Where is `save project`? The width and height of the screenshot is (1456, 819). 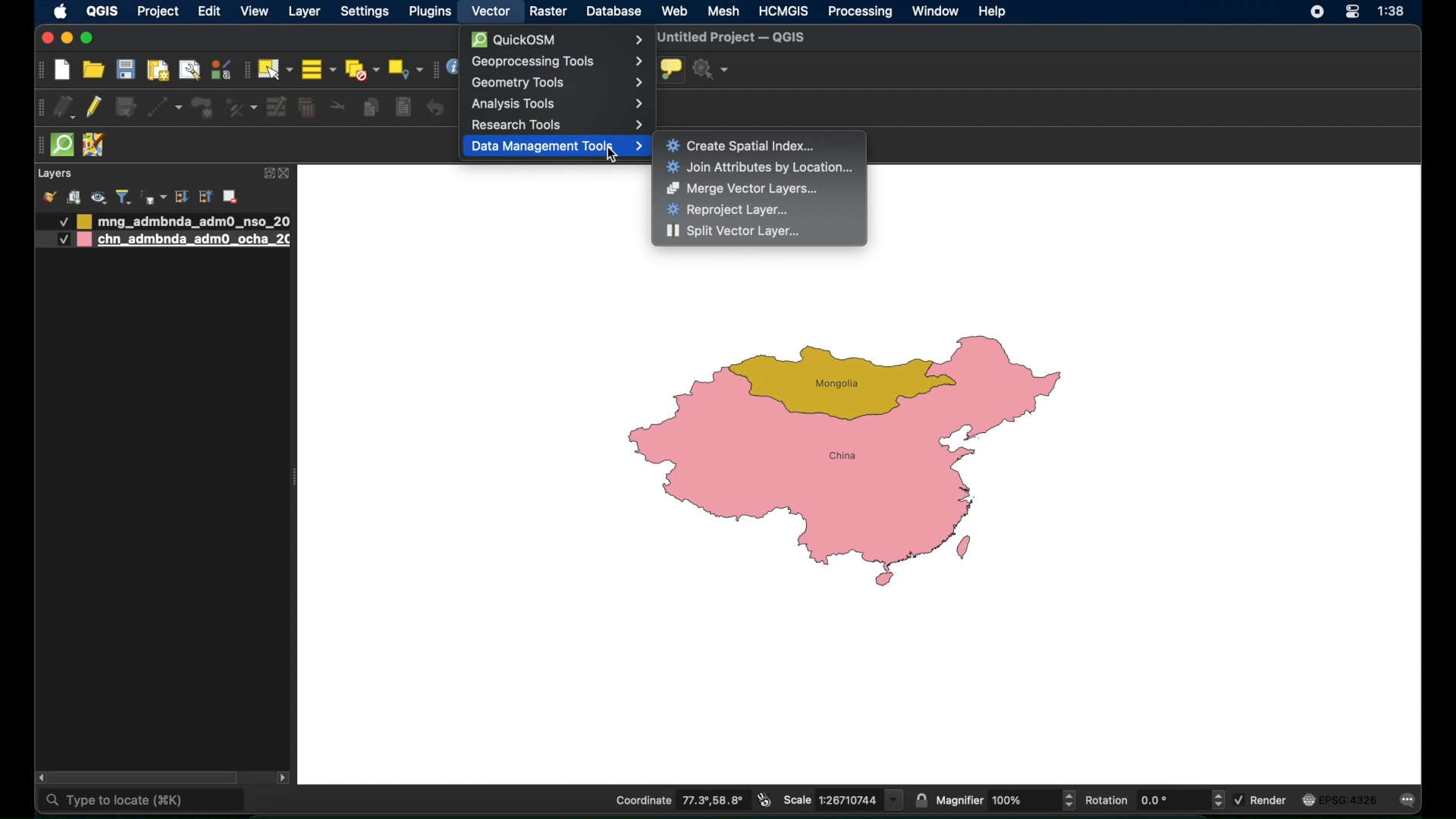 save project is located at coordinates (127, 69).